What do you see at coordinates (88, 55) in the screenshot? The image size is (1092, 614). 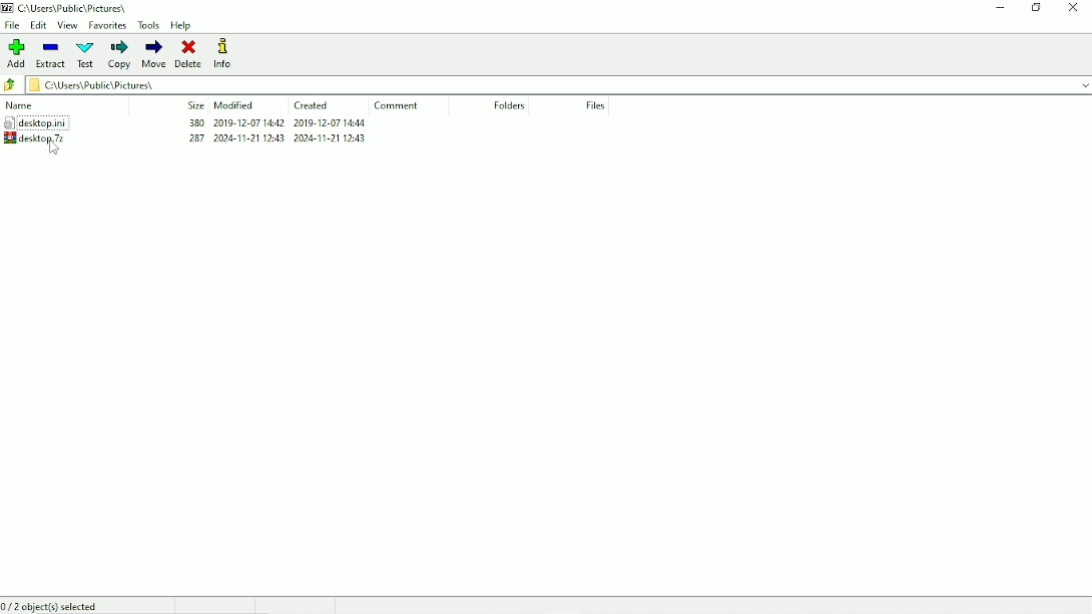 I see `Test` at bounding box center [88, 55].